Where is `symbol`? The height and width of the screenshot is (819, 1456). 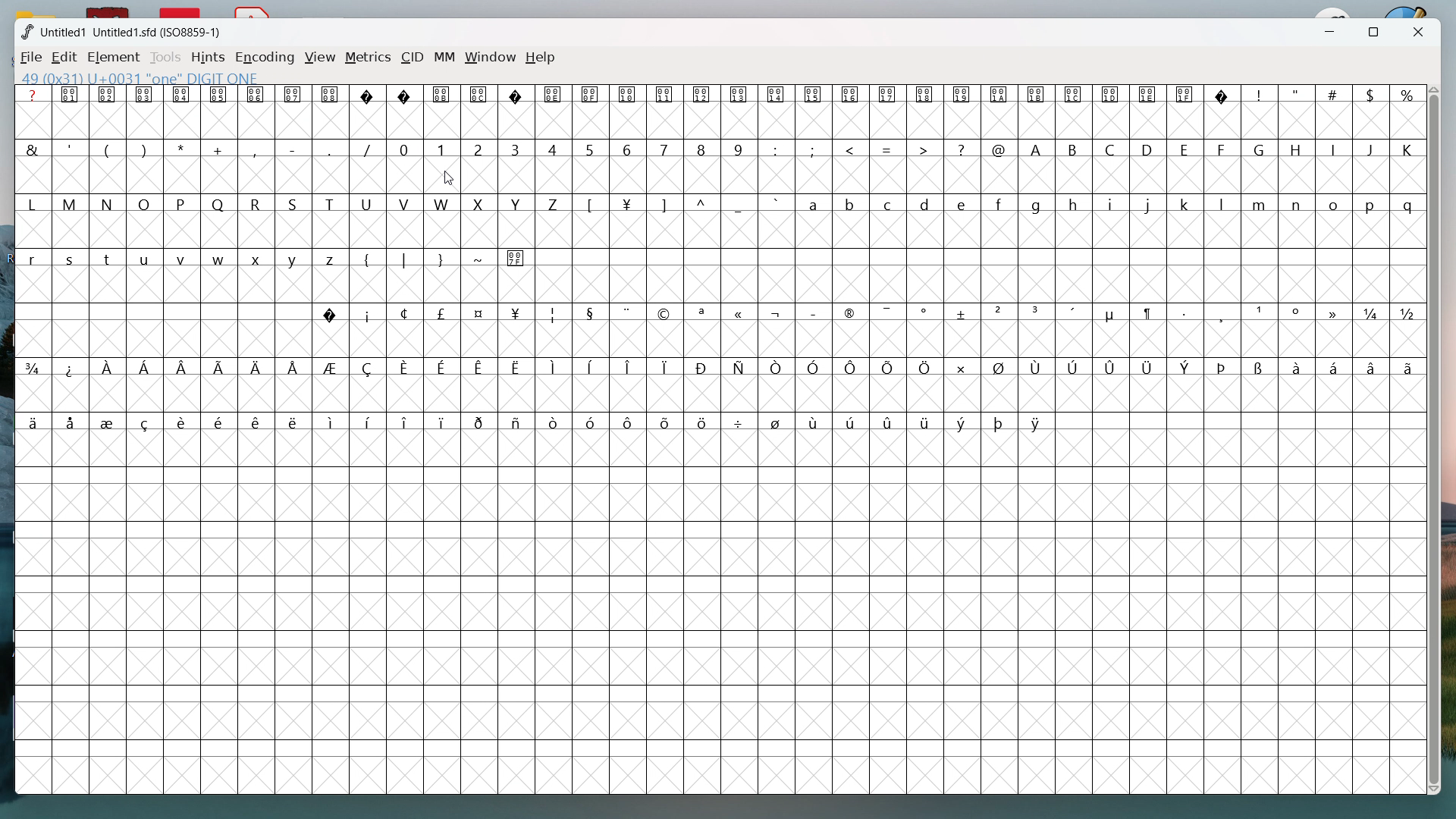
symbol is located at coordinates (334, 368).